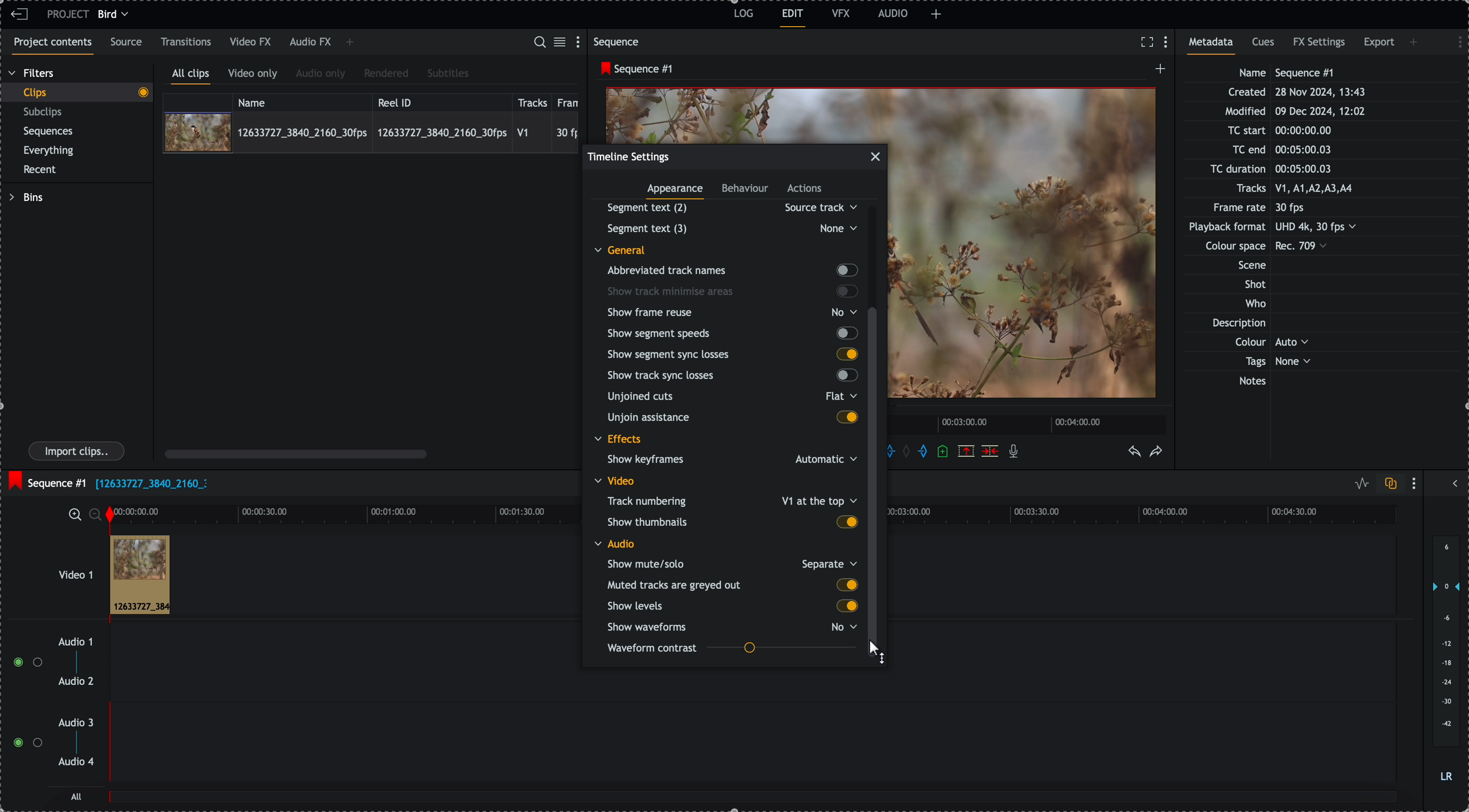  What do you see at coordinates (733, 291) in the screenshot?
I see `show track minimise areas` at bounding box center [733, 291].